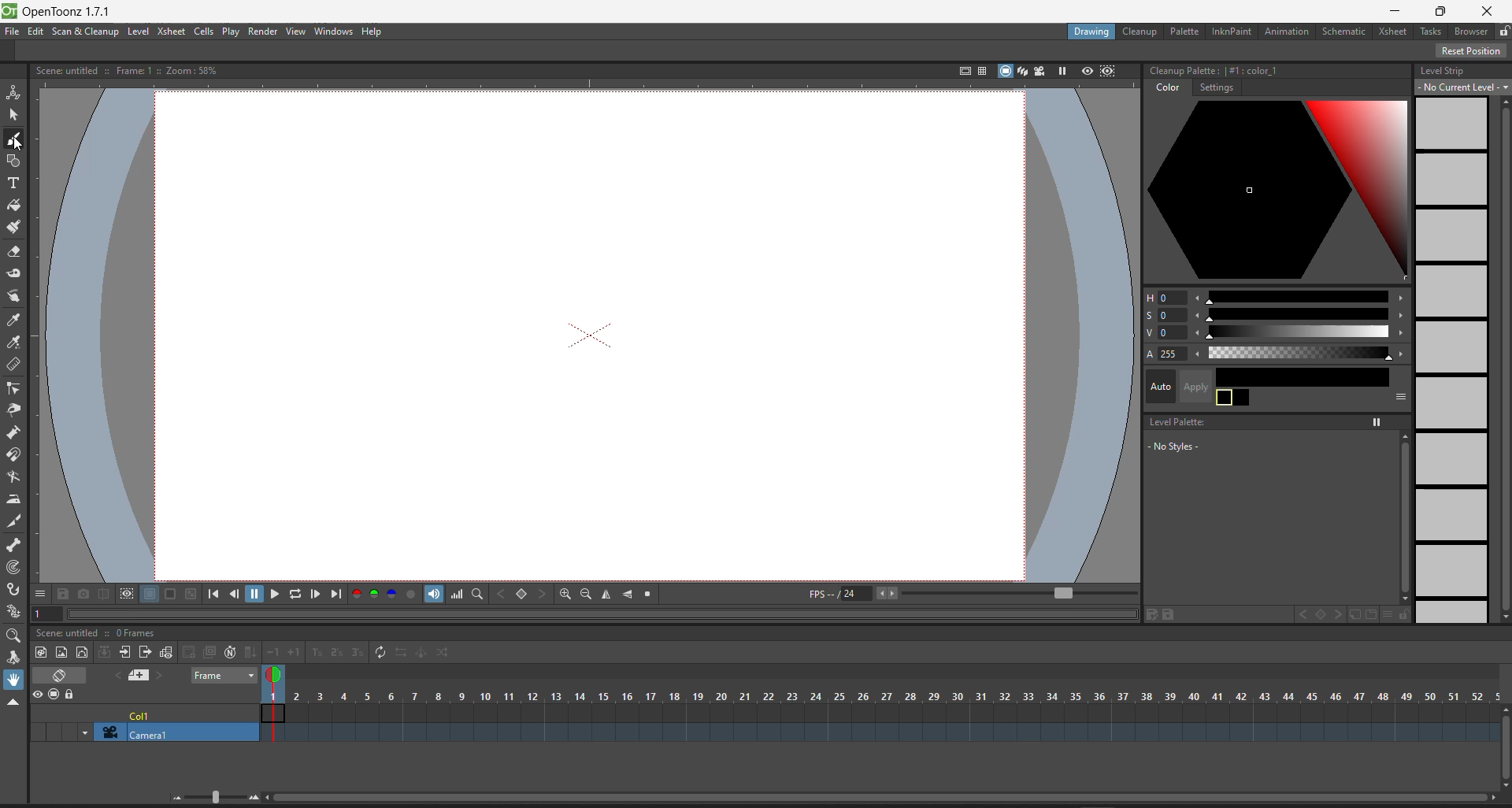 The height and width of the screenshot is (808, 1512). What do you see at coordinates (841, 592) in the screenshot?
I see `frames per second` at bounding box center [841, 592].